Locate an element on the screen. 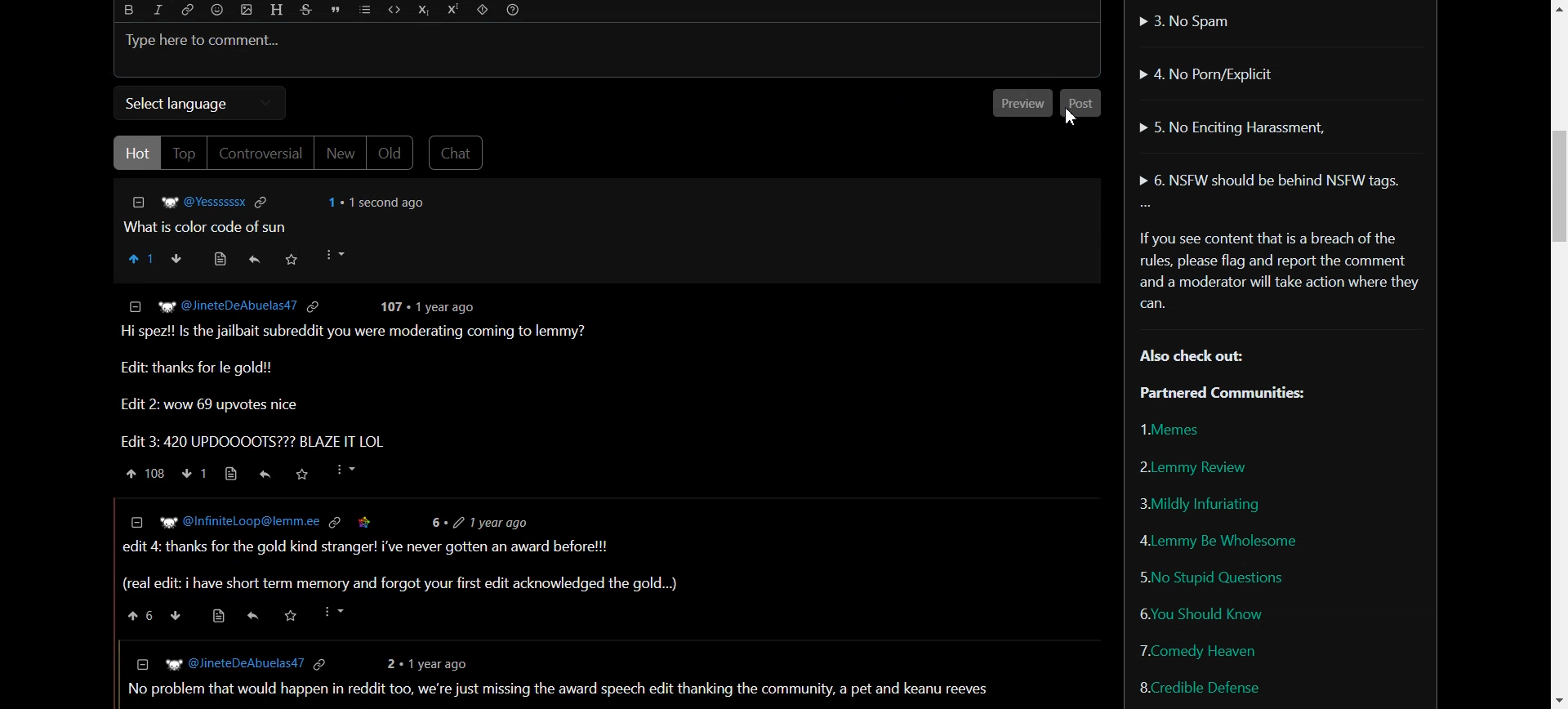  @JineteDeAbuelas47 is located at coordinates (243, 303).